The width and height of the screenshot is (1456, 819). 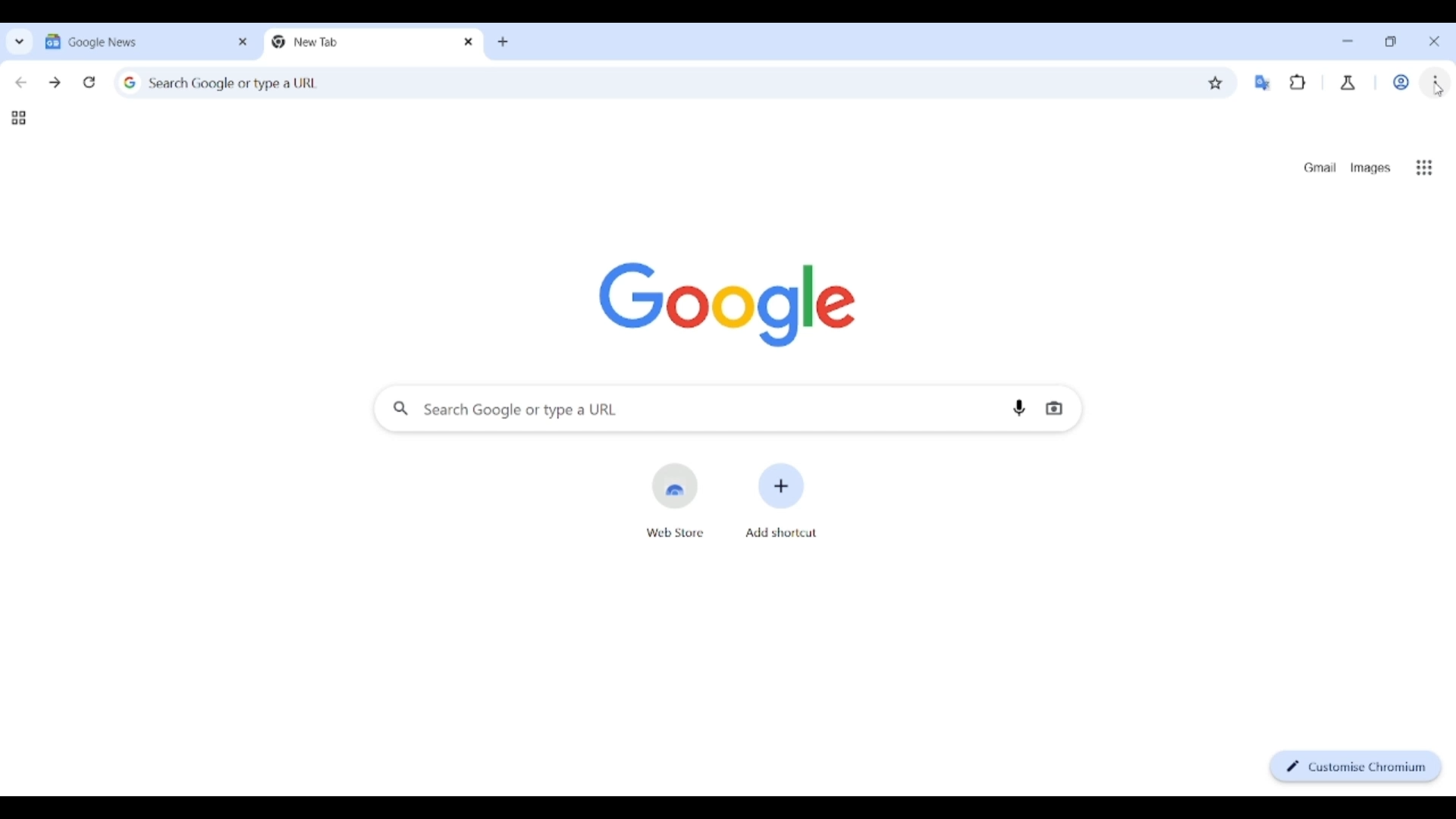 I want to click on Open web store, so click(x=675, y=500).